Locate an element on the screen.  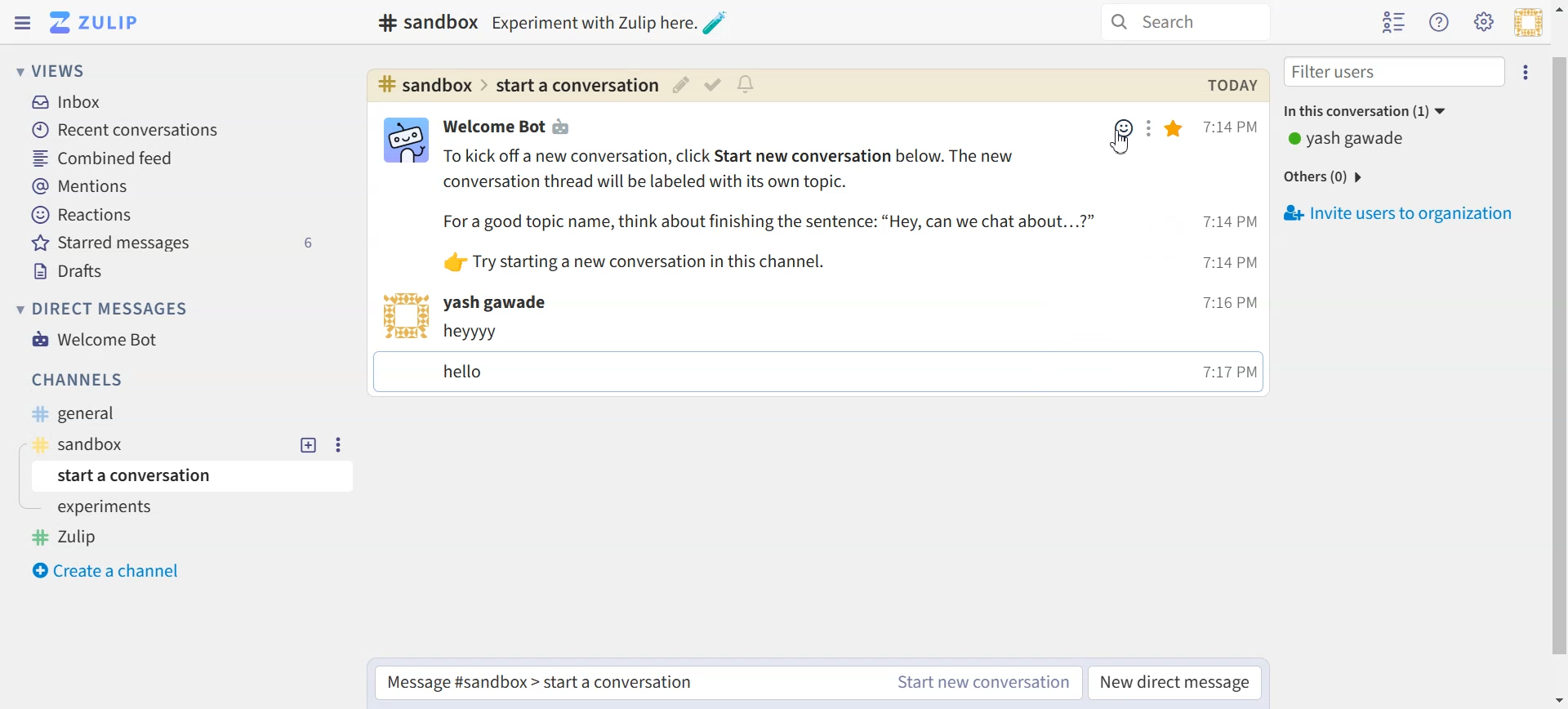
Mark as resolved is located at coordinates (711, 85).